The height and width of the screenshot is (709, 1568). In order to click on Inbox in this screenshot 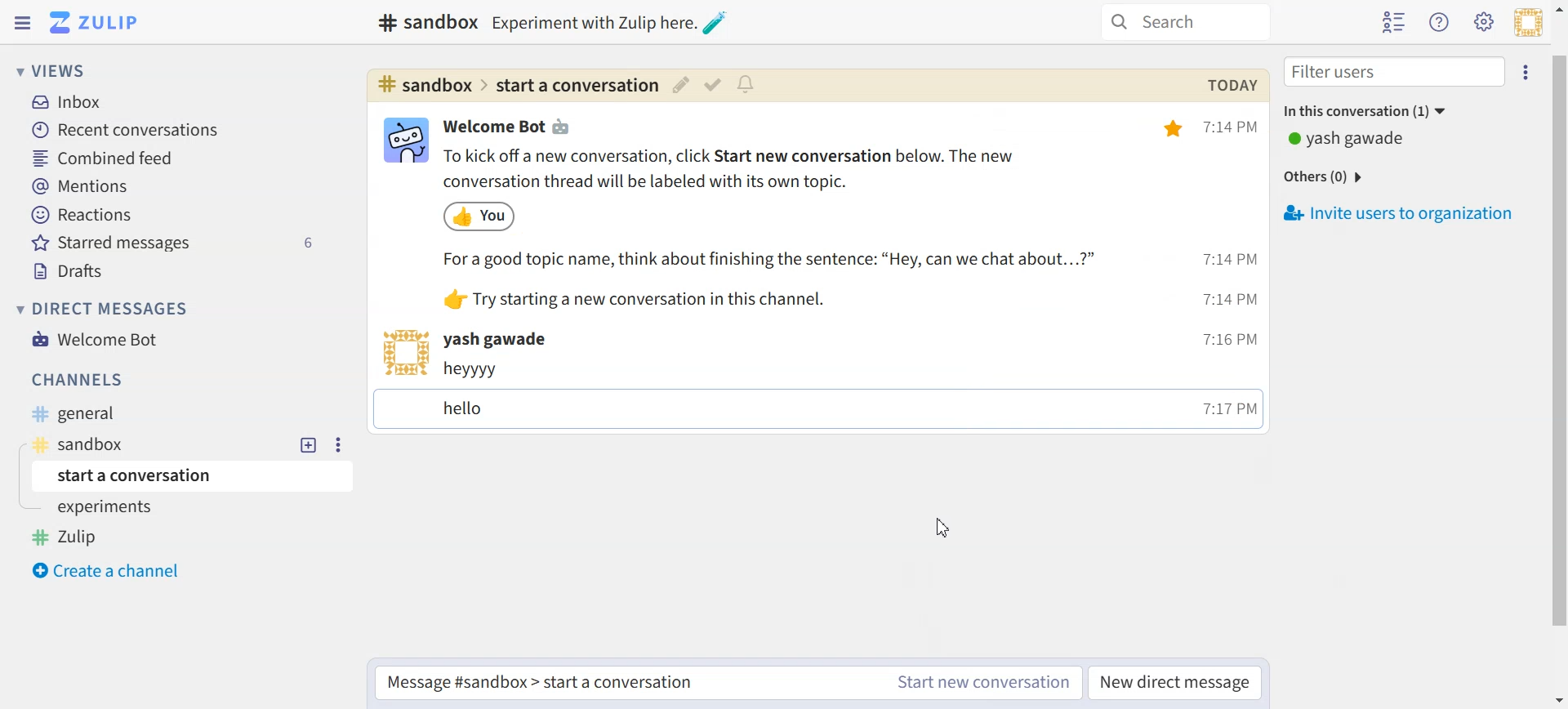, I will do `click(68, 103)`.